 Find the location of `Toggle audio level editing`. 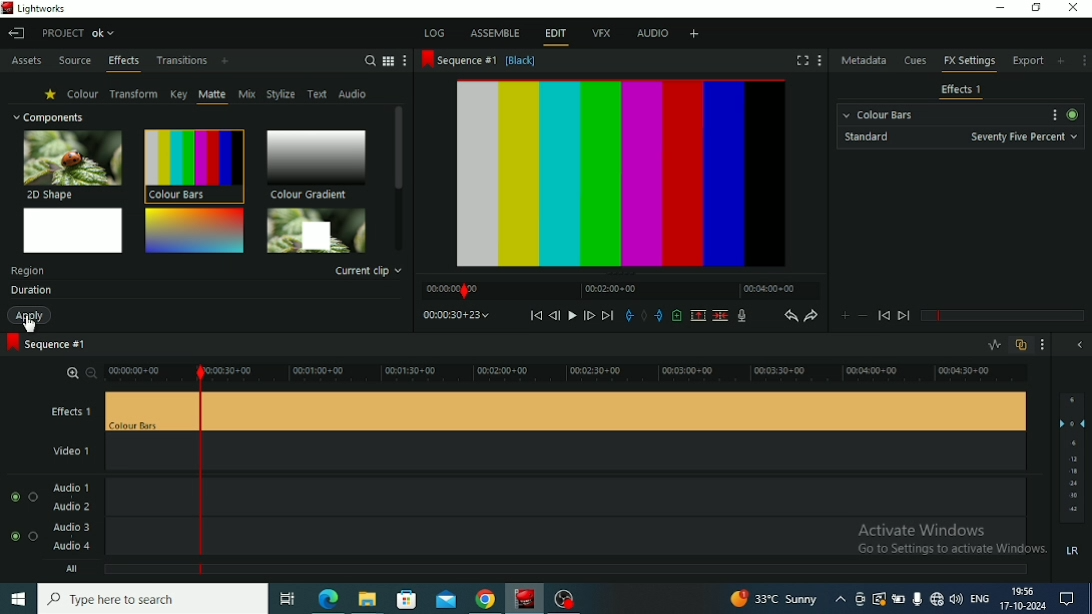

Toggle audio level editing is located at coordinates (994, 344).